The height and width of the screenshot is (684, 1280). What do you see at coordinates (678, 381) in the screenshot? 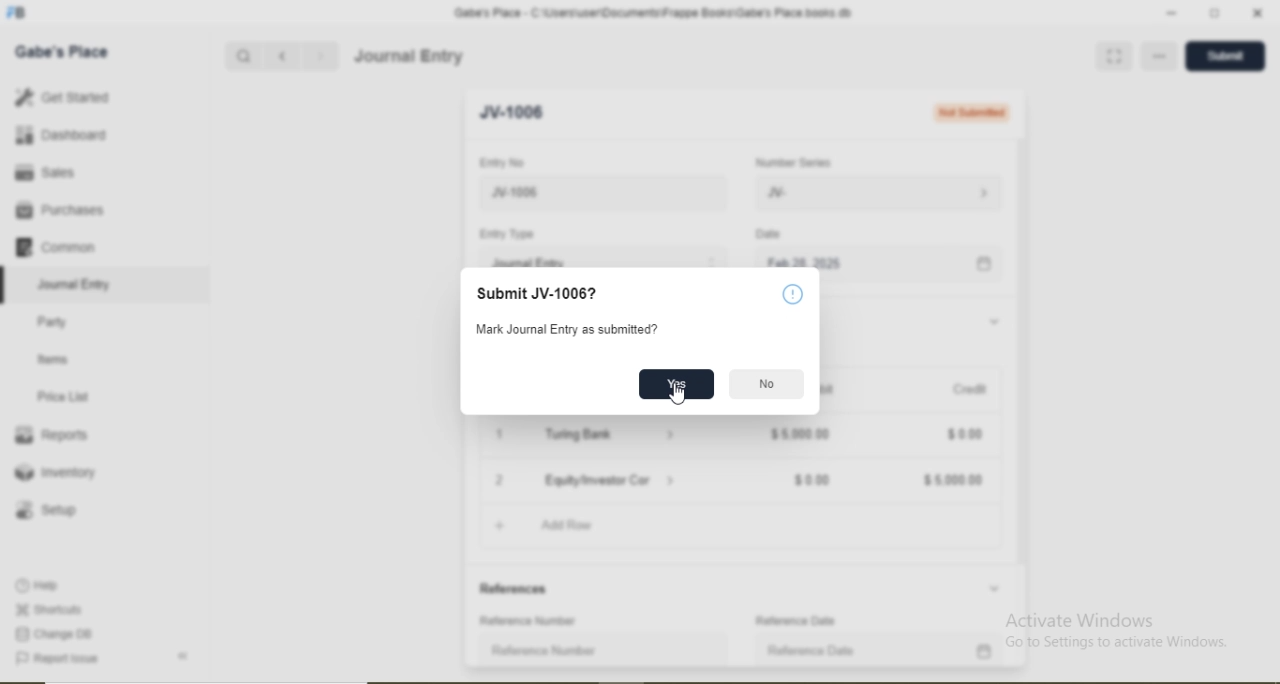
I see `yes` at bounding box center [678, 381].